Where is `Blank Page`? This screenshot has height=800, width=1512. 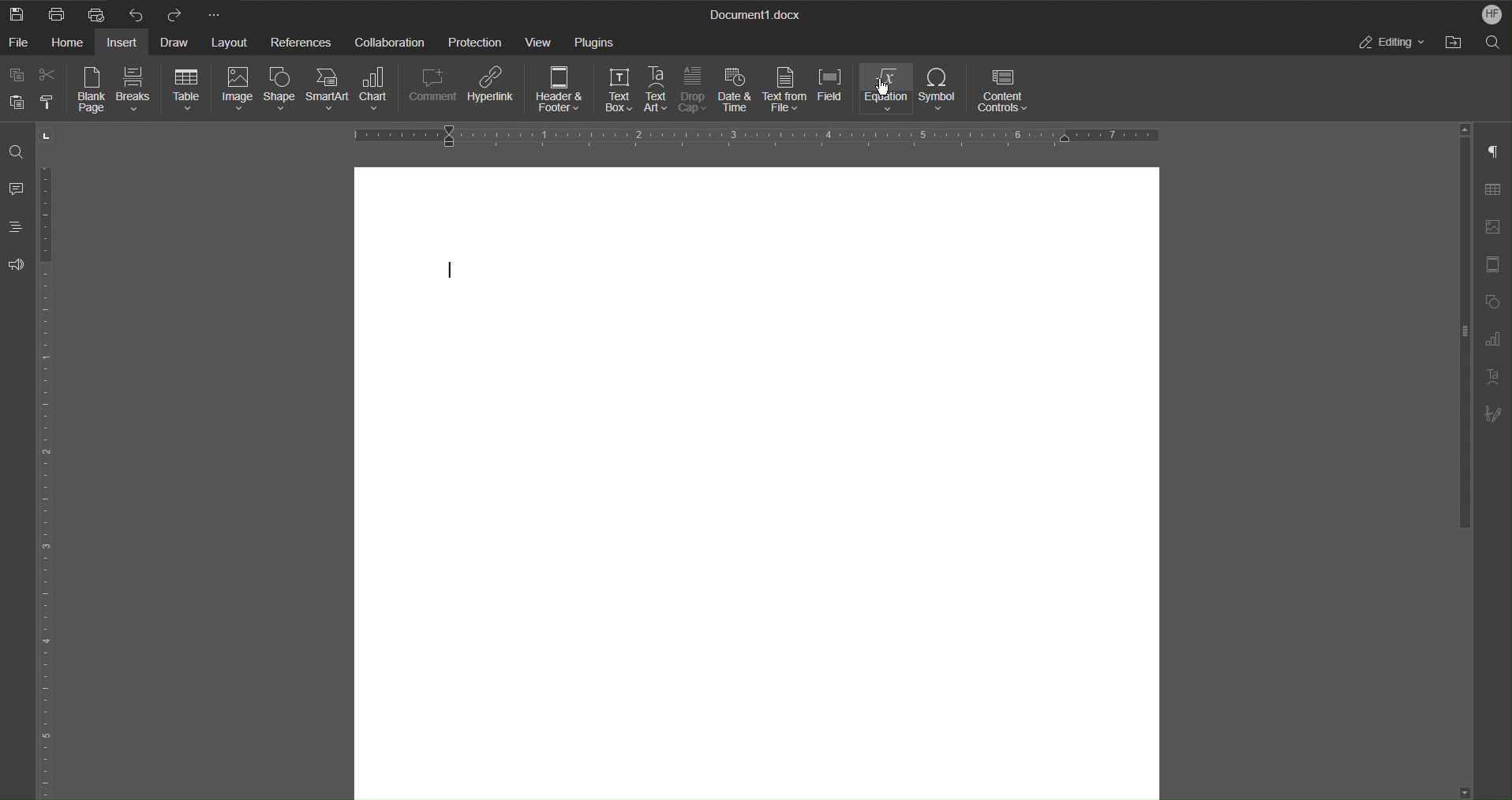 Blank Page is located at coordinates (92, 90).